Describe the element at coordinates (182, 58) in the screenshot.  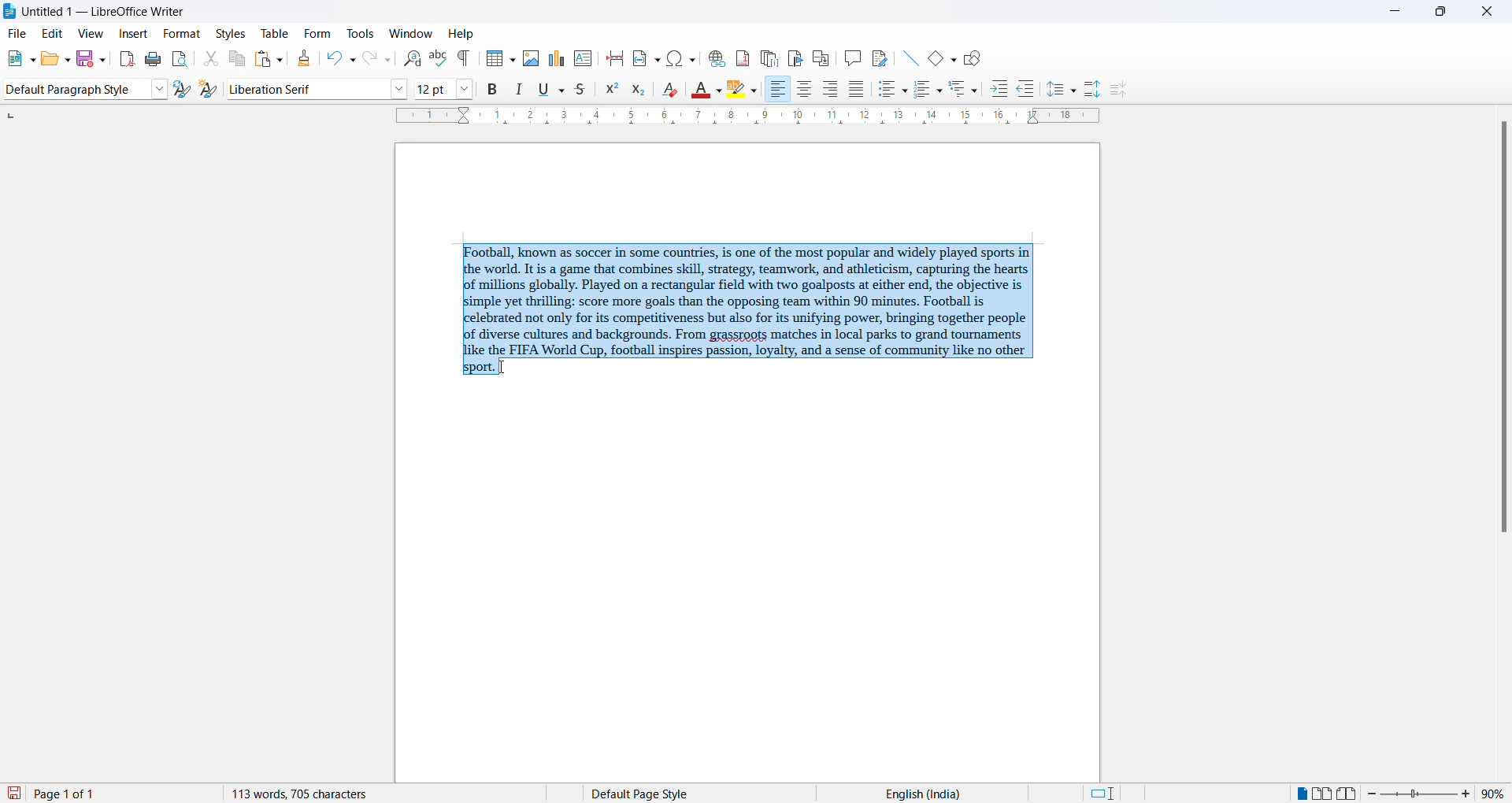
I see `print preview` at that location.